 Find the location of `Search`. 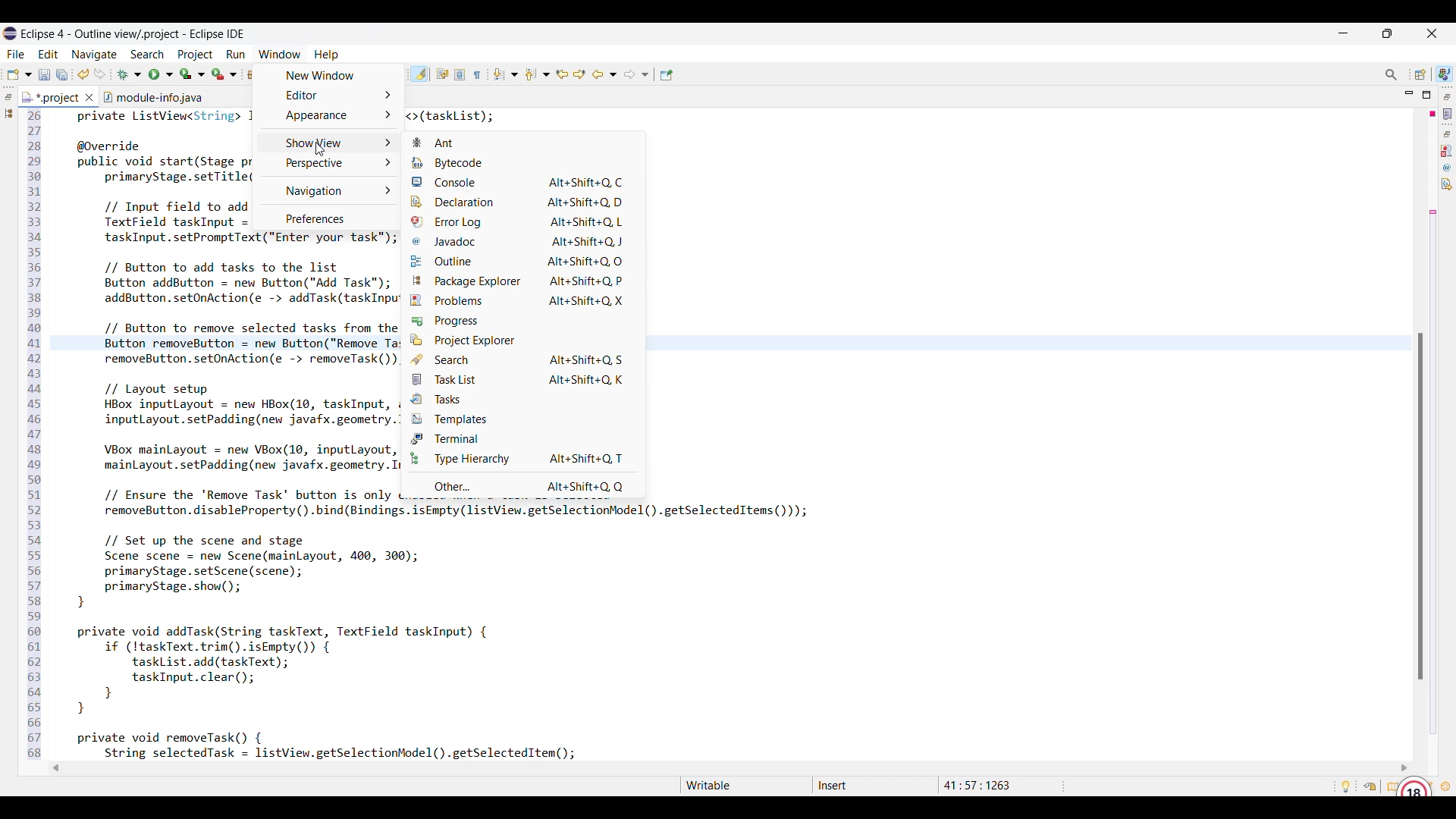

Search is located at coordinates (522, 359).